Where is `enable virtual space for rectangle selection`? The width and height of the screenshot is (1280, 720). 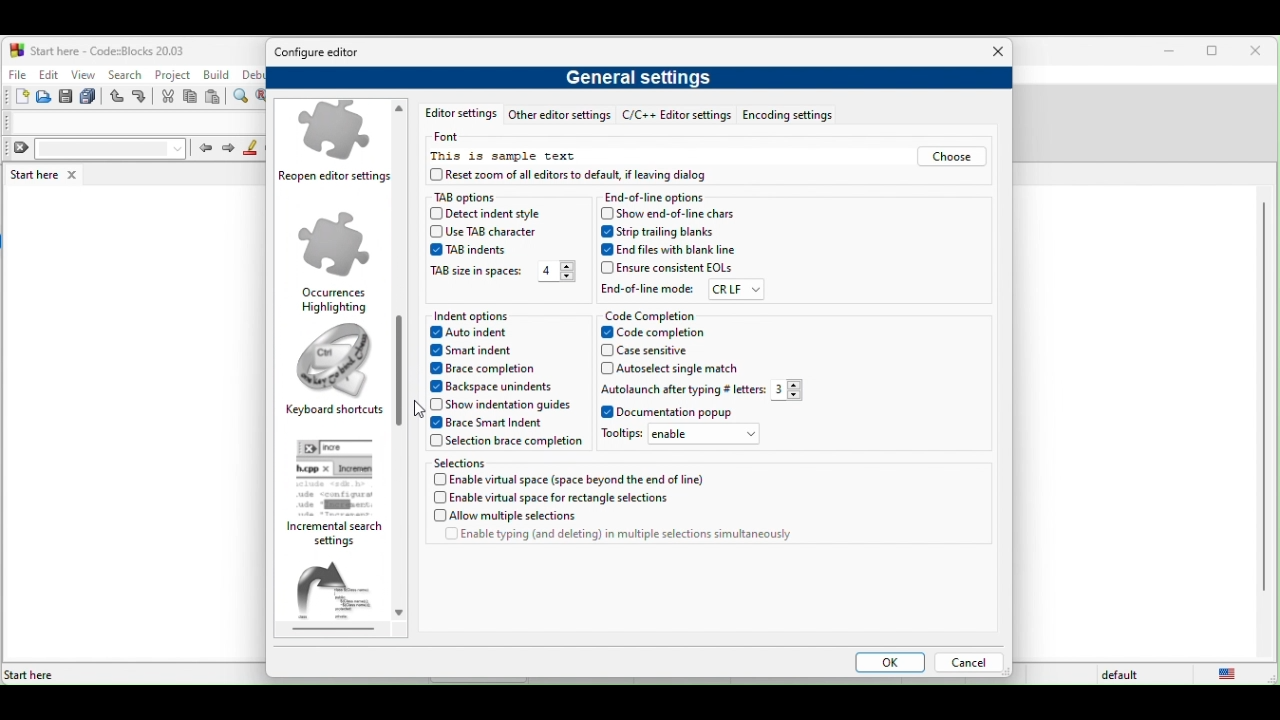 enable virtual space for rectangle selection is located at coordinates (565, 499).